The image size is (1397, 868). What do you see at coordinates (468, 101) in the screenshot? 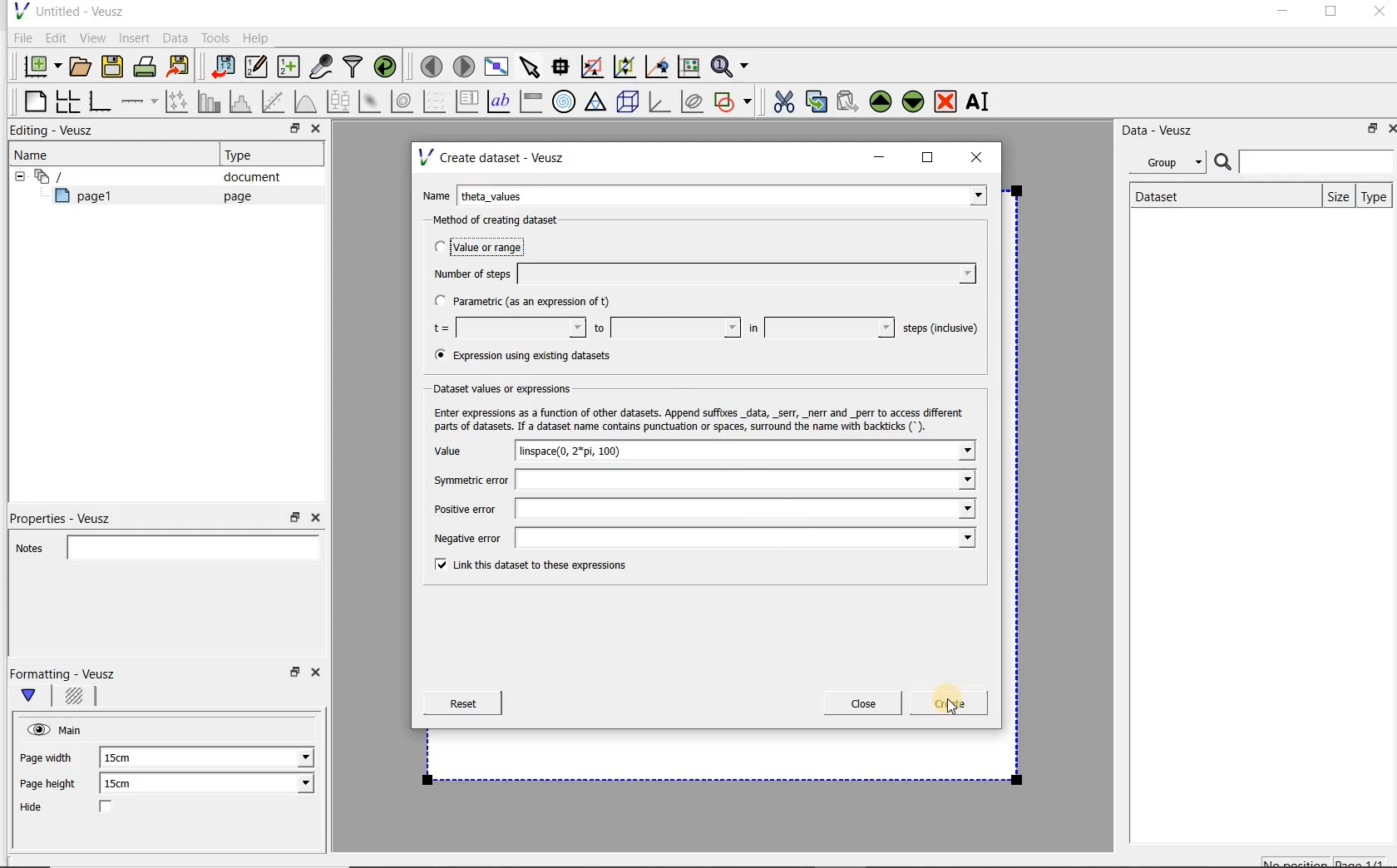
I see `plot key` at bounding box center [468, 101].